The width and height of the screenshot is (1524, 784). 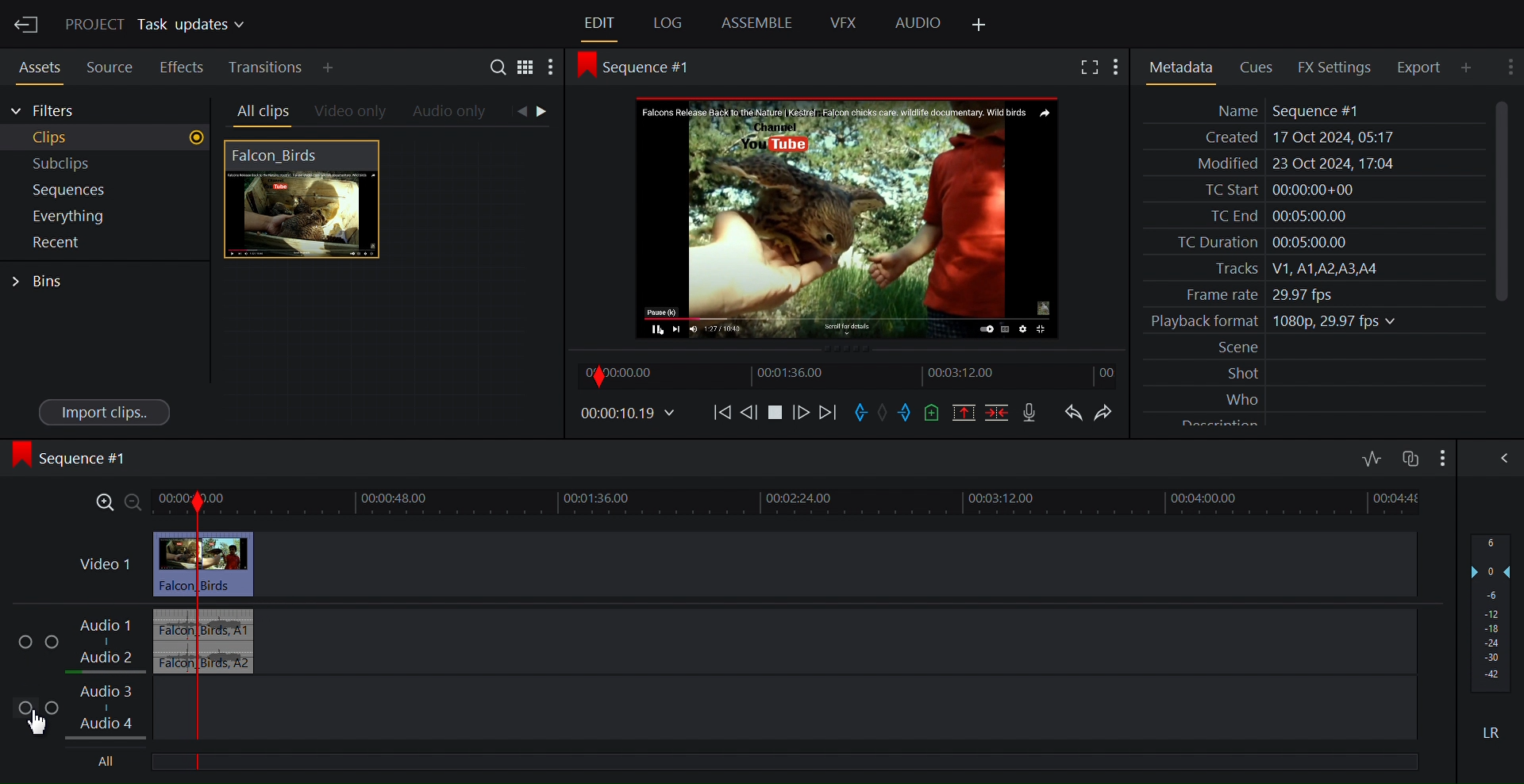 I want to click on (un)mute, so click(x=27, y=708).